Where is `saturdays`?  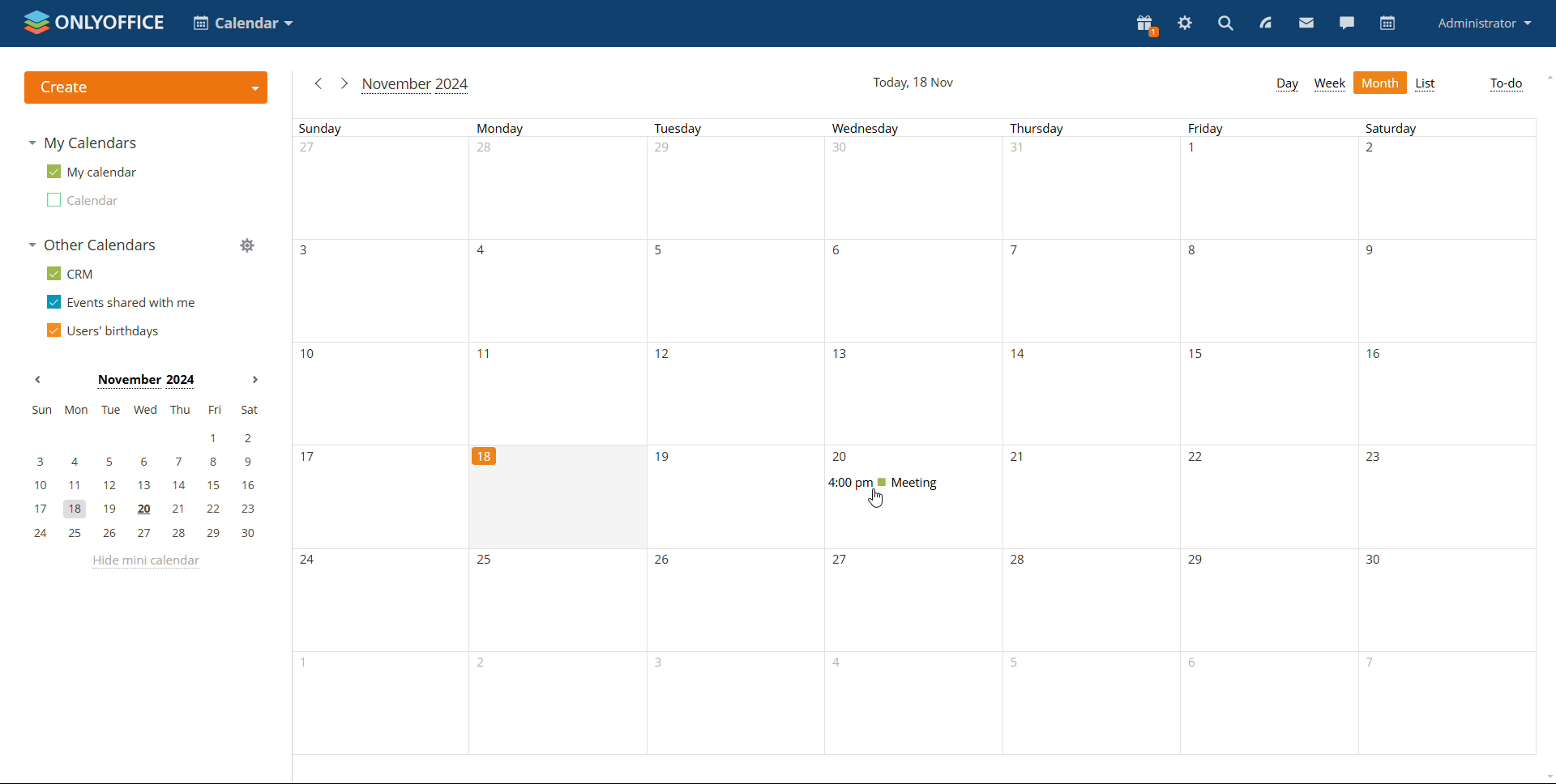
saturdays is located at coordinates (1447, 436).